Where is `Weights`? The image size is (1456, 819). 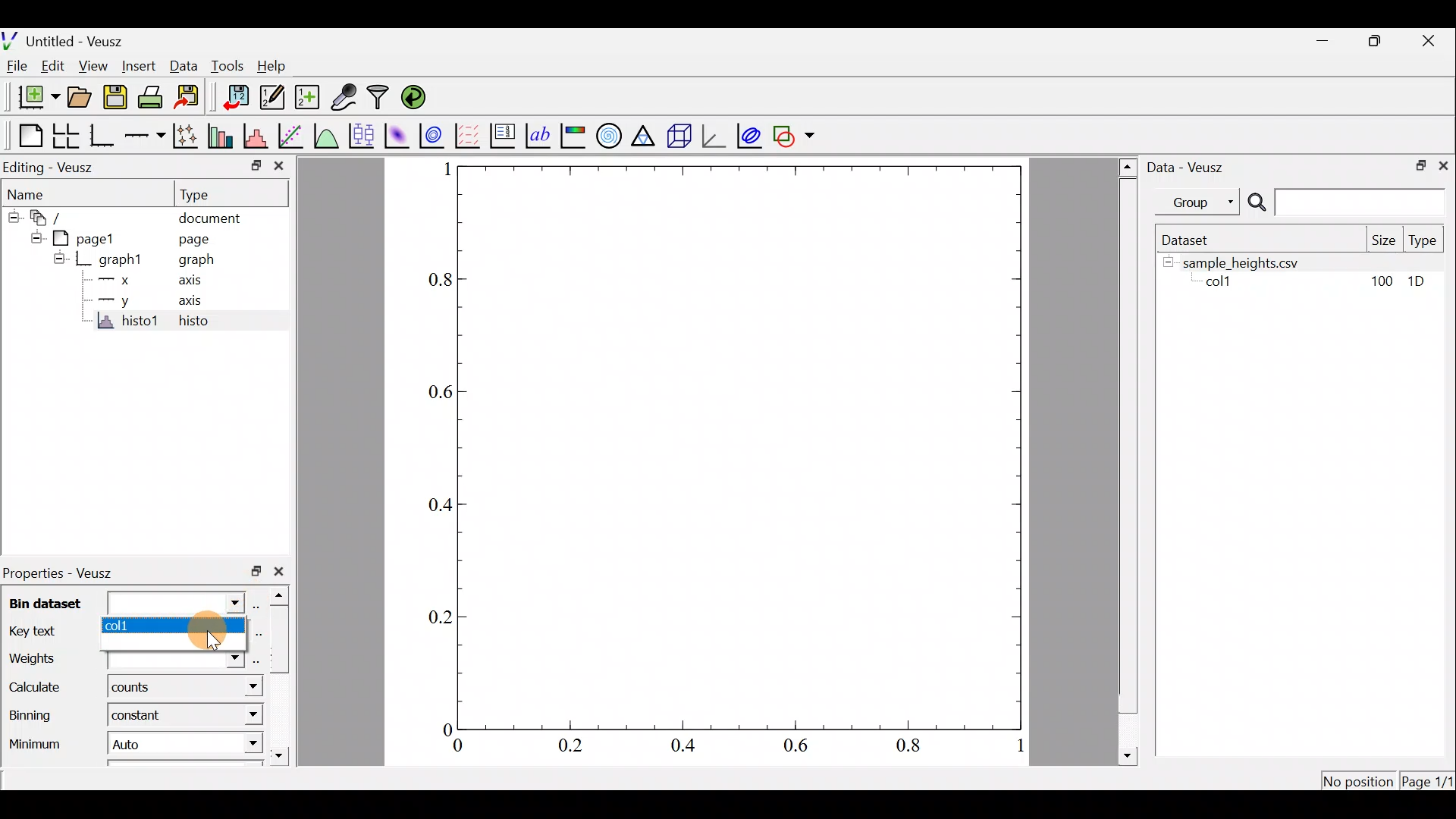 Weights is located at coordinates (119, 659).